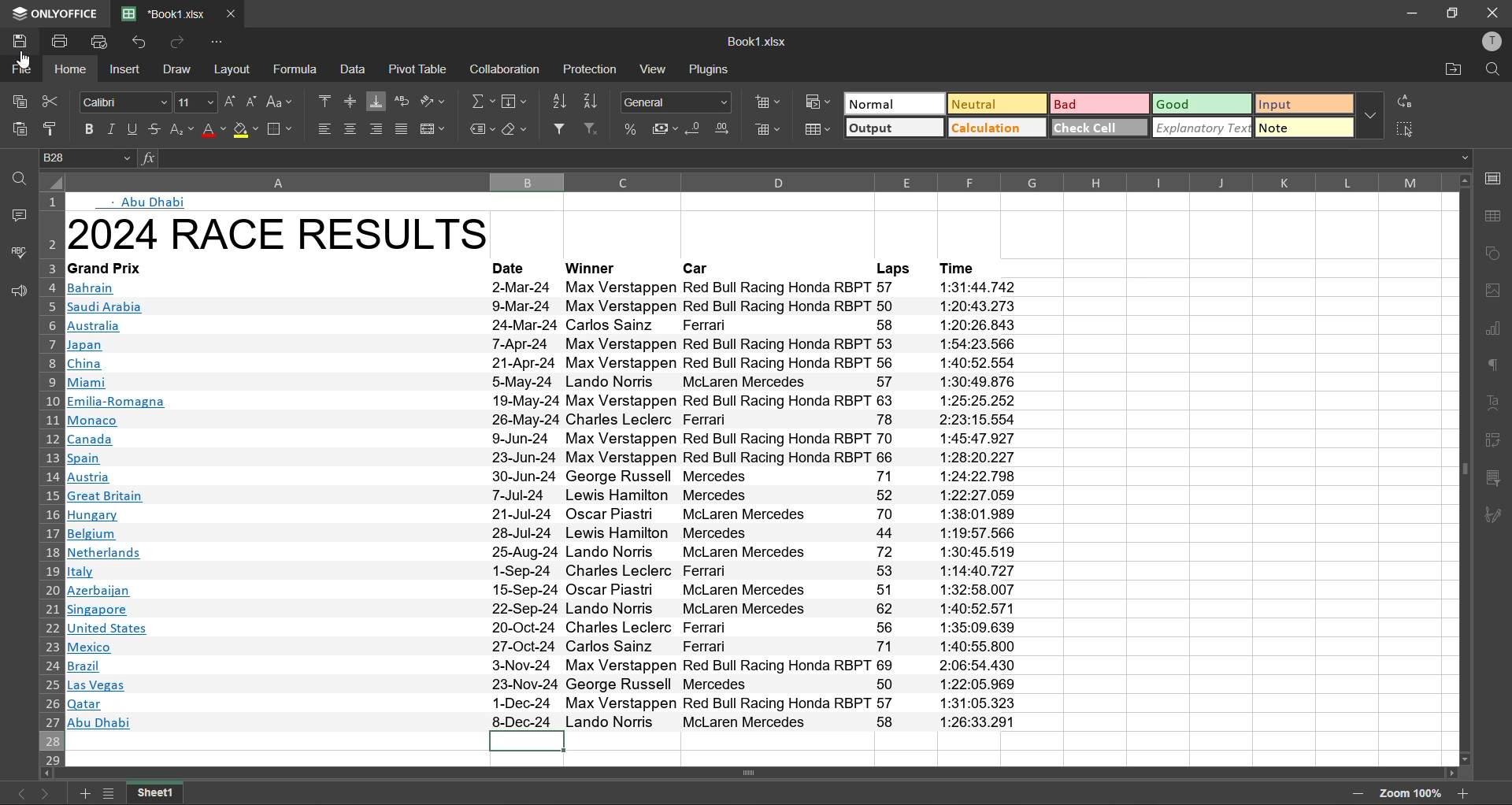 The width and height of the screenshot is (1512, 805). What do you see at coordinates (551, 287) in the screenshot?
I see `Bahrain 2-Mar-24 Max Verstappen Red Bull Racing Honda RBPT 57 1:31:44.742` at bounding box center [551, 287].